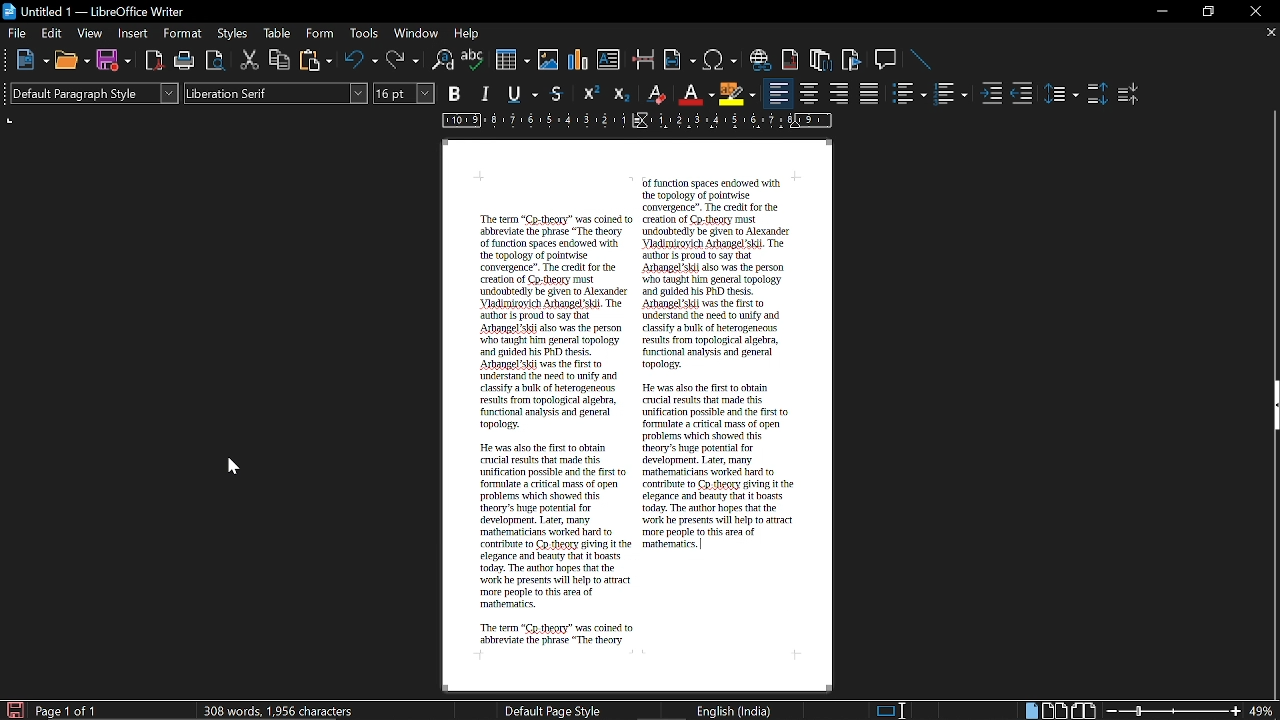 This screenshot has width=1280, height=720. What do you see at coordinates (186, 33) in the screenshot?
I see `Format` at bounding box center [186, 33].